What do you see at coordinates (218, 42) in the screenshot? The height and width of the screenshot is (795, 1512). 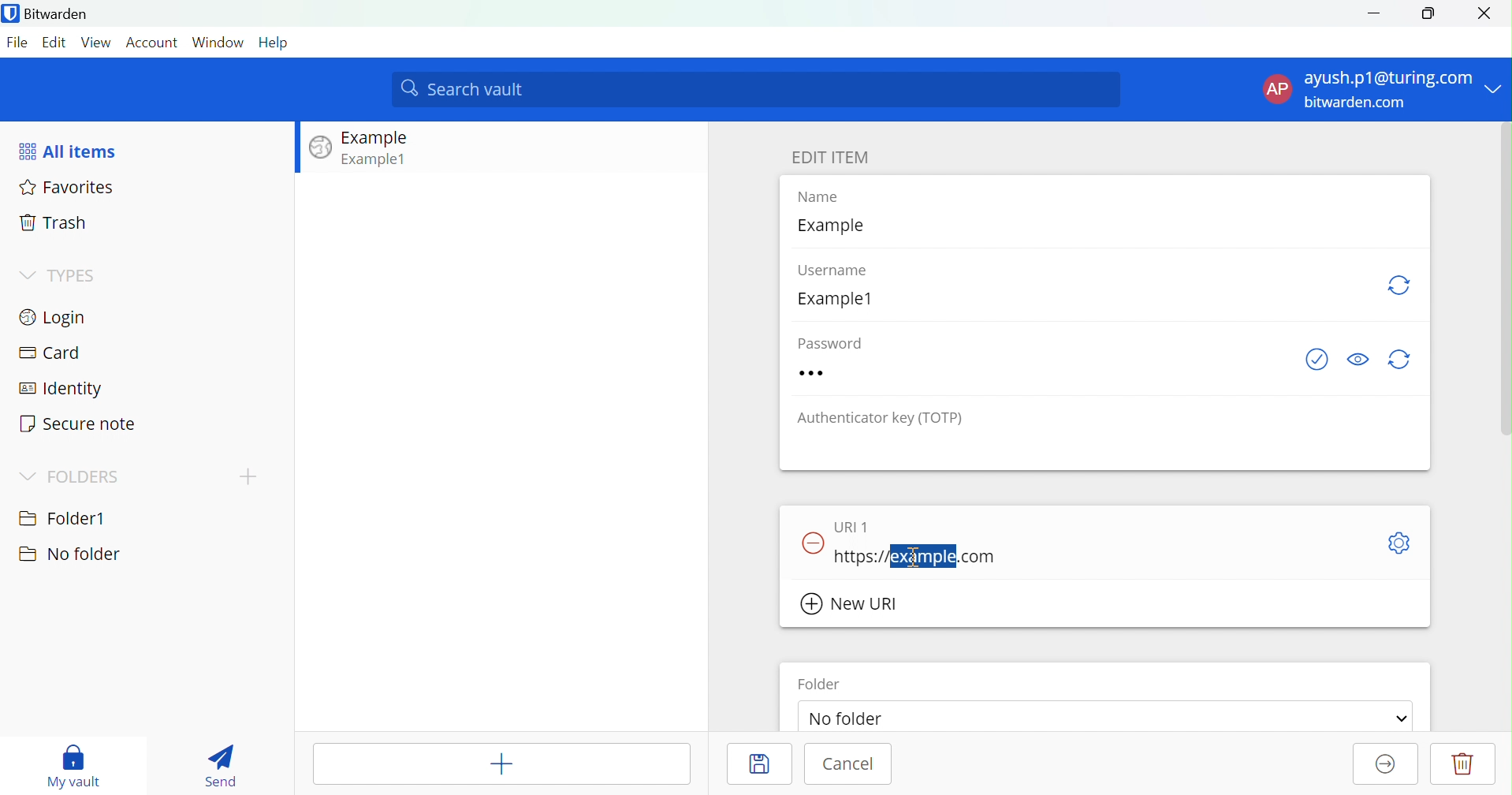 I see `Window` at bounding box center [218, 42].